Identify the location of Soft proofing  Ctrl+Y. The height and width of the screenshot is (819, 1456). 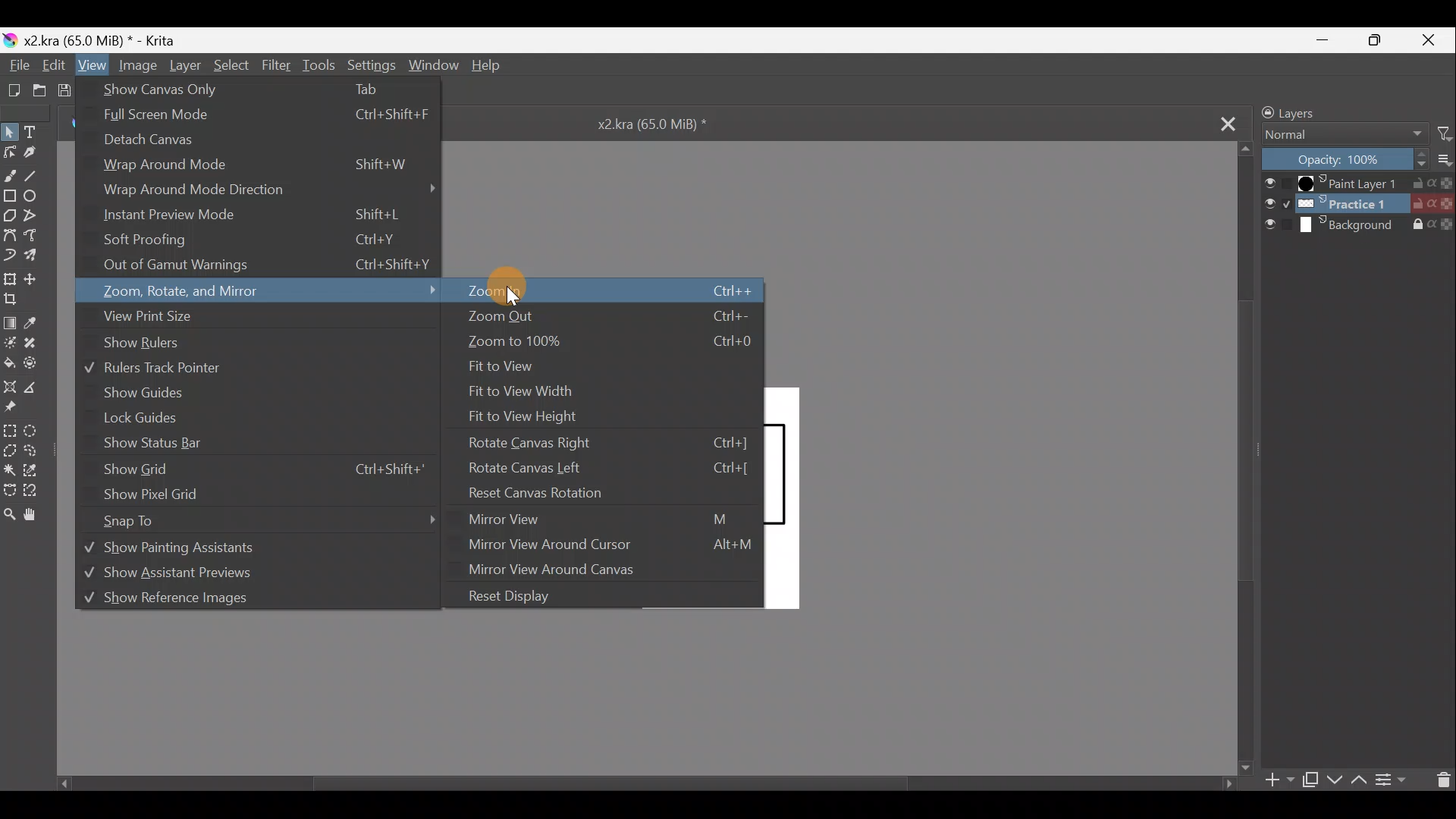
(274, 237).